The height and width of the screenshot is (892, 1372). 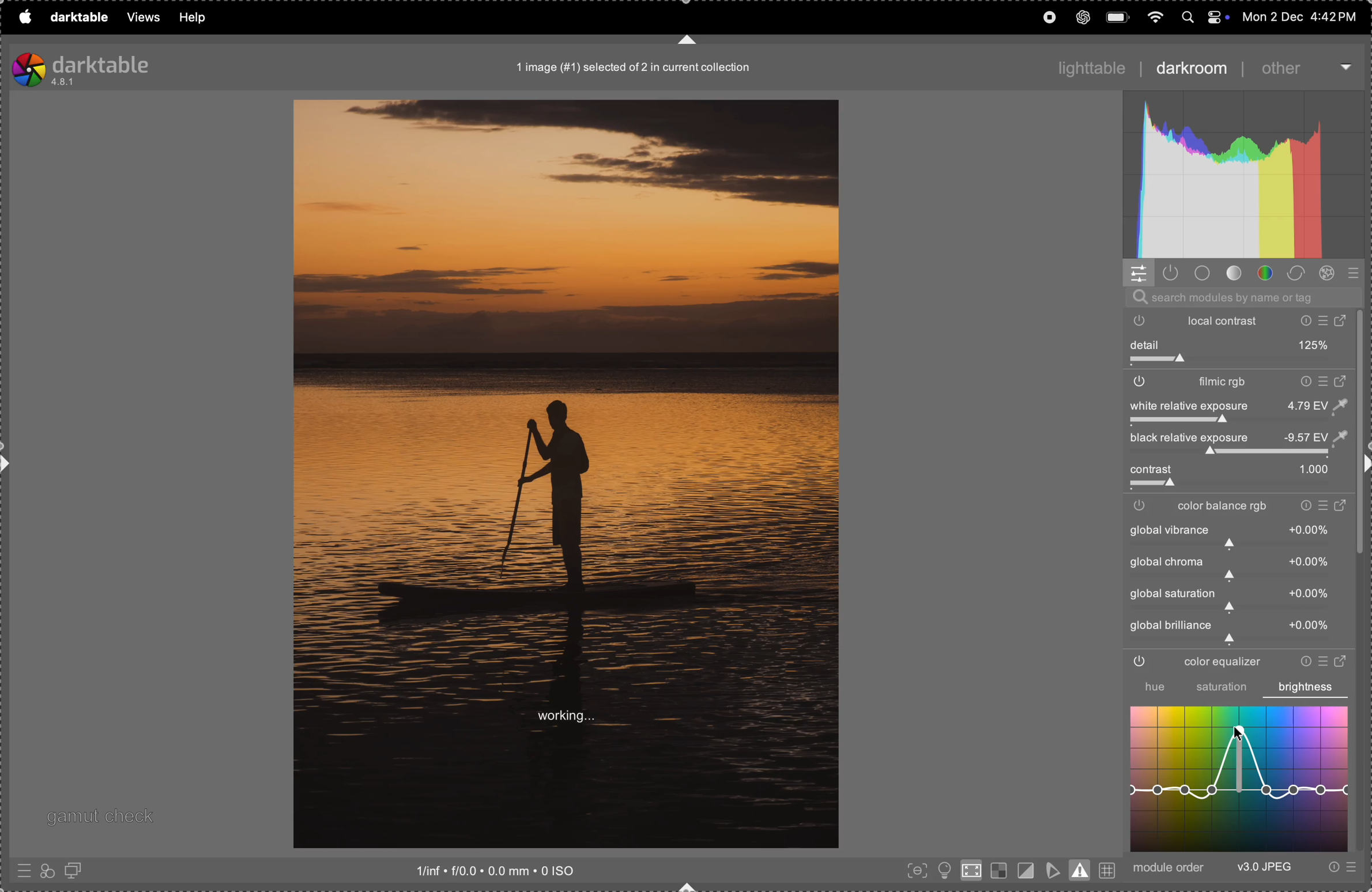 I want to click on white relative exposure, so click(x=1237, y=405).